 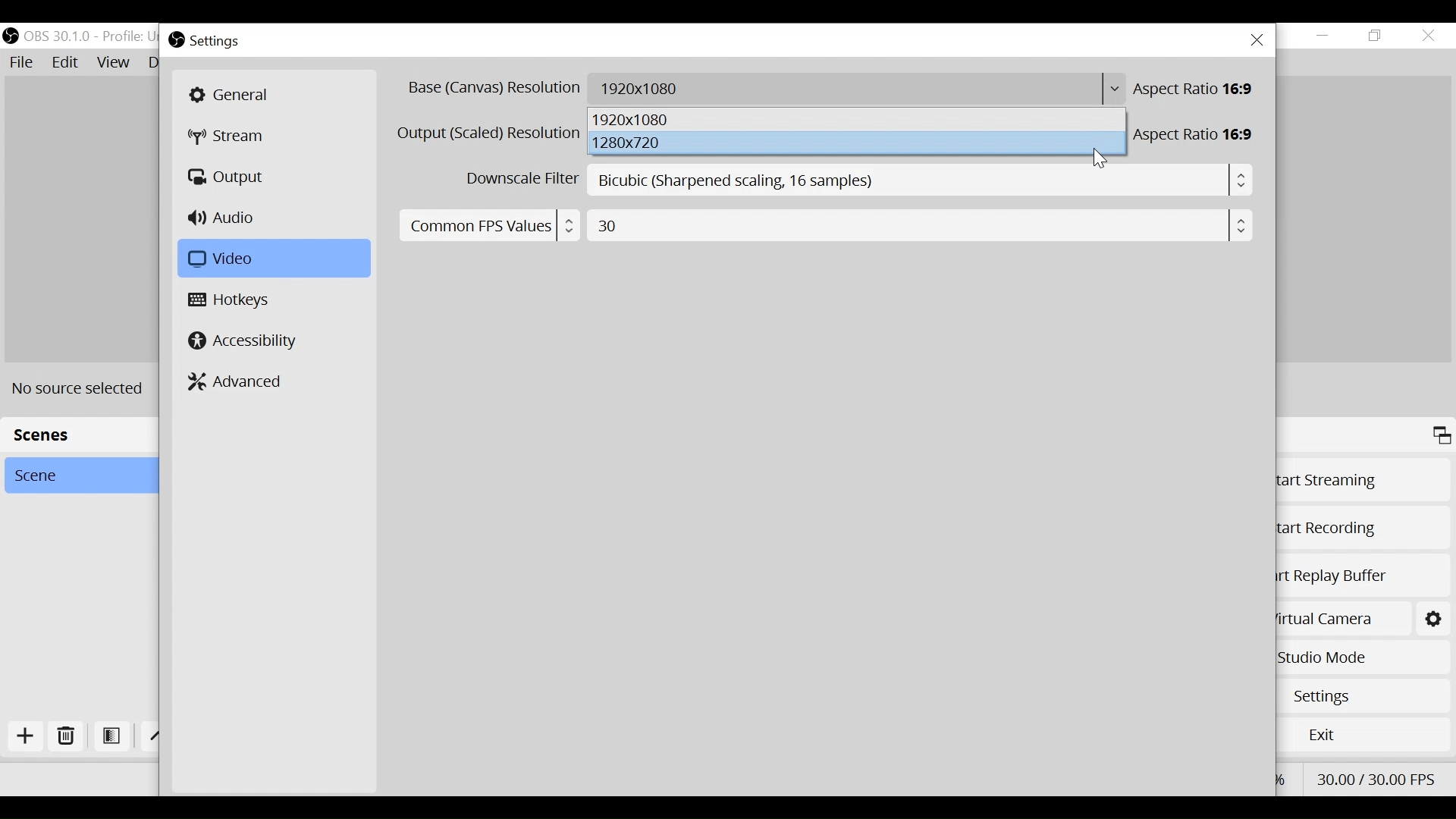 I want to click on Open Scene Filter, so click(x=111, y=737).